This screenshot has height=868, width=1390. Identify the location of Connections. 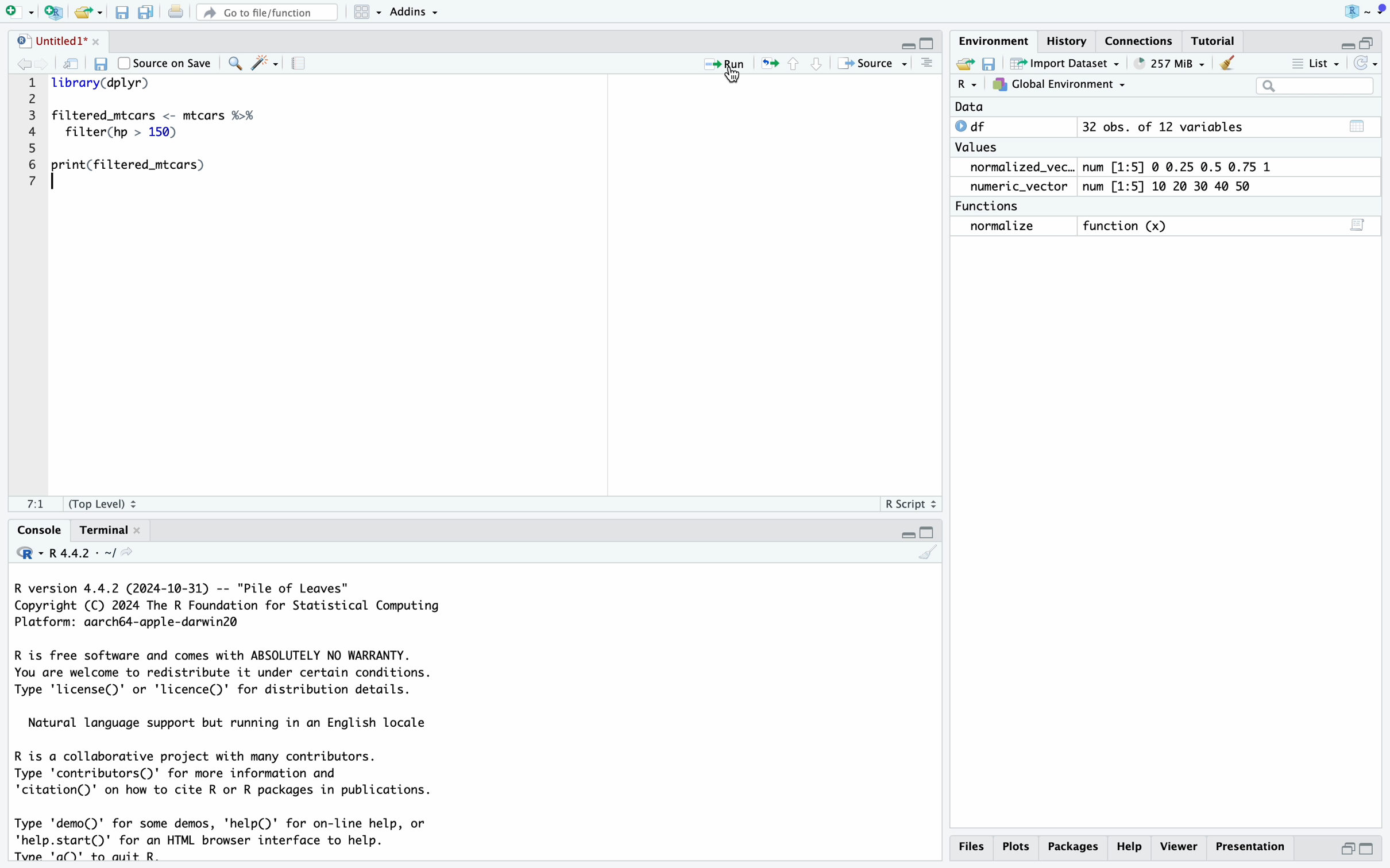
(1140, 43).